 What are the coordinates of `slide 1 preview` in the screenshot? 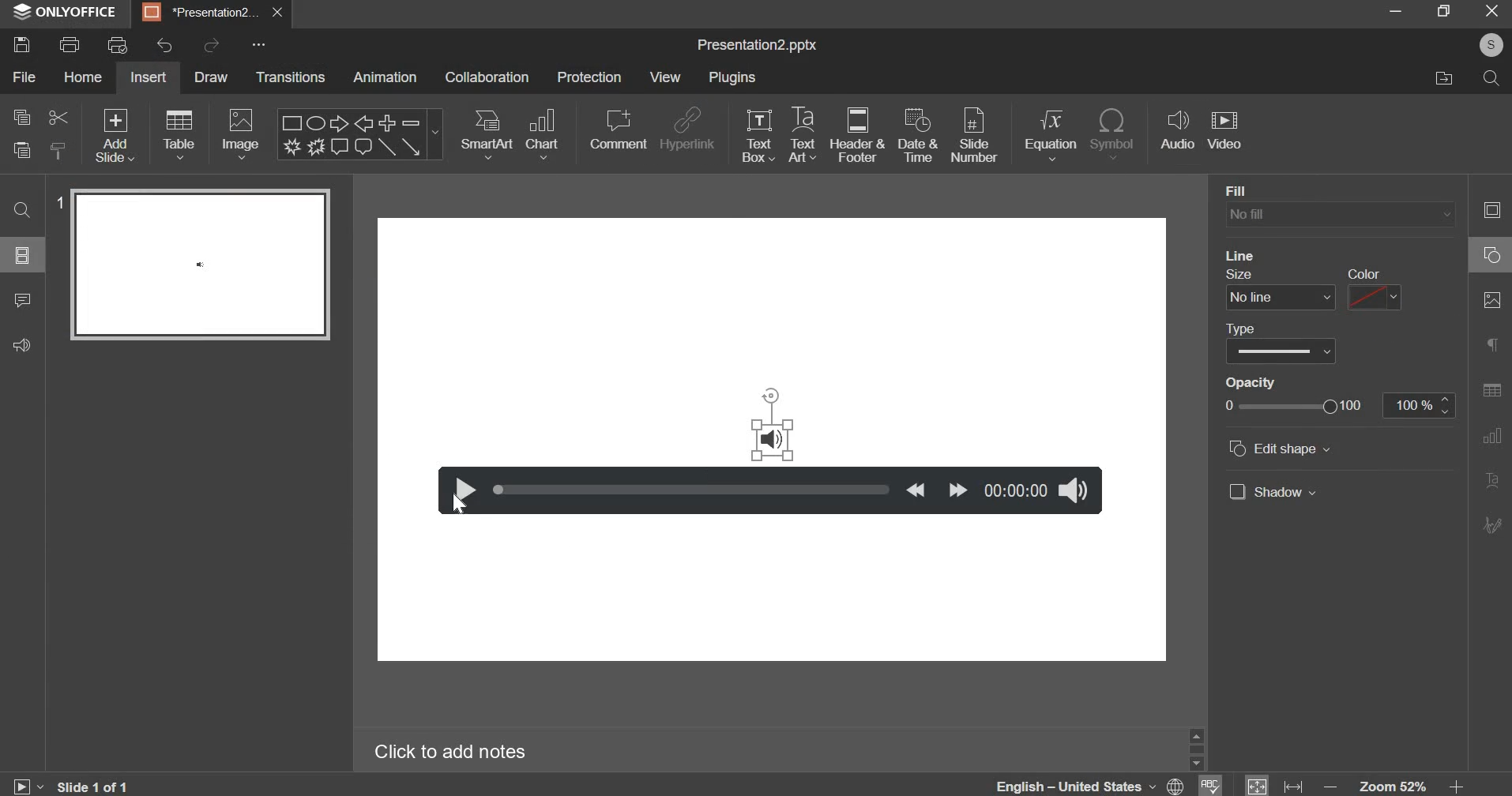 It's located at (200, 265).